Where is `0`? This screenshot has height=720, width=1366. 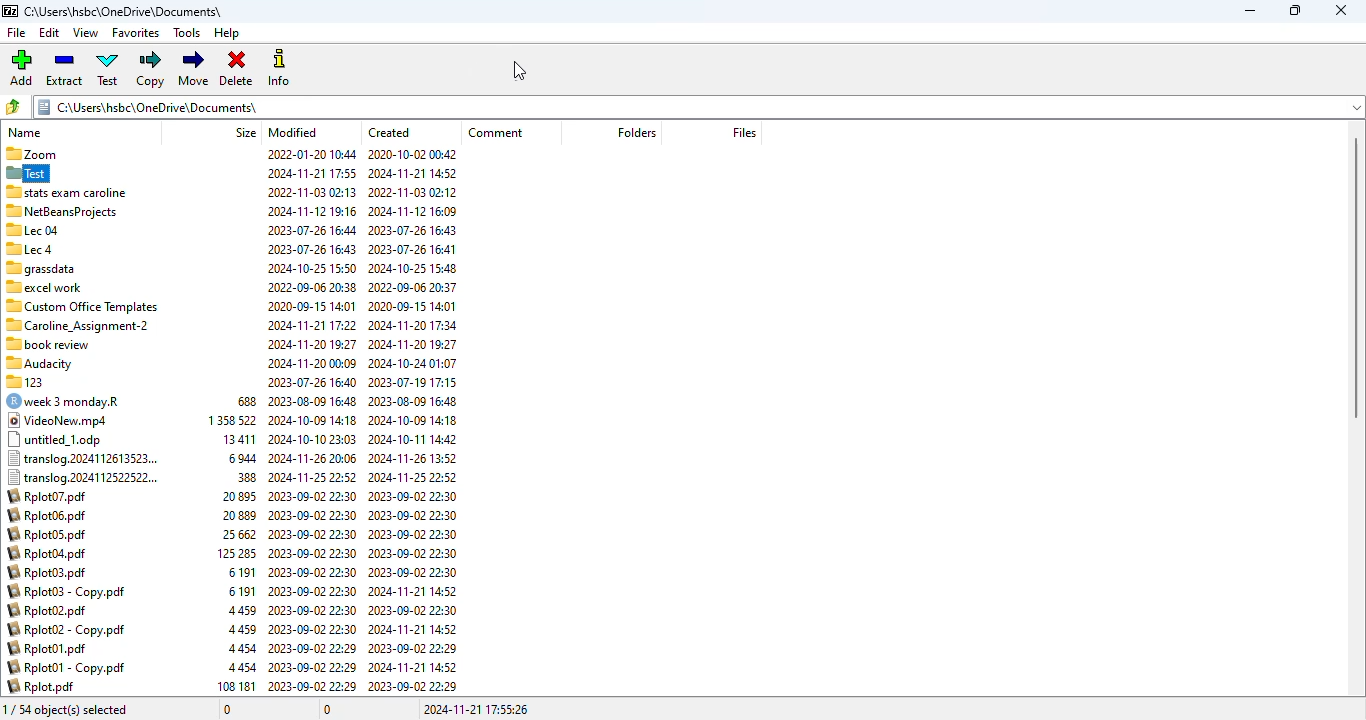
0 is located at coordinates (228, 710).